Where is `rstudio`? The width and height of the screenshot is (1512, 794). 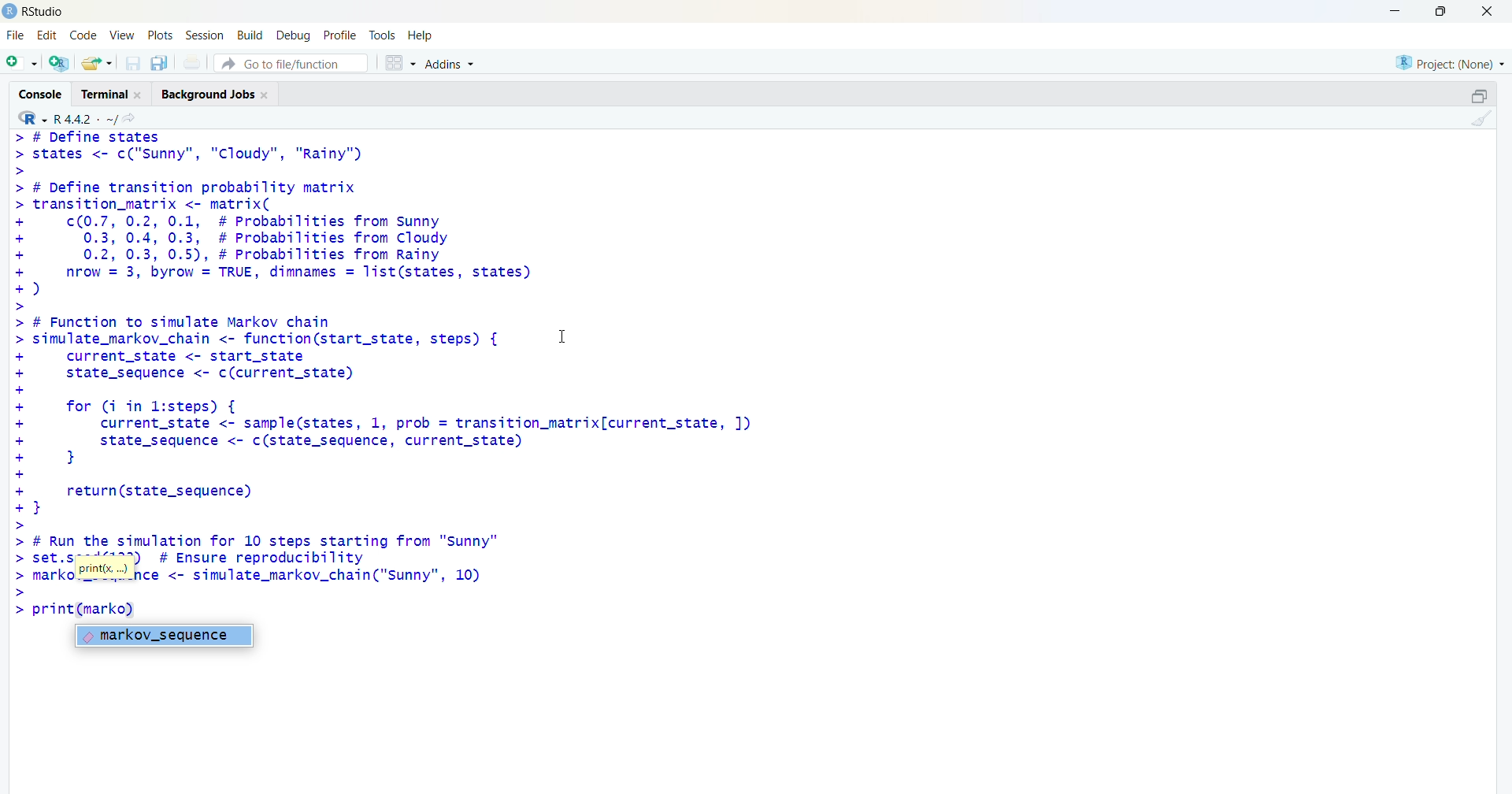 rstudio is located at coordinates (35, 11).